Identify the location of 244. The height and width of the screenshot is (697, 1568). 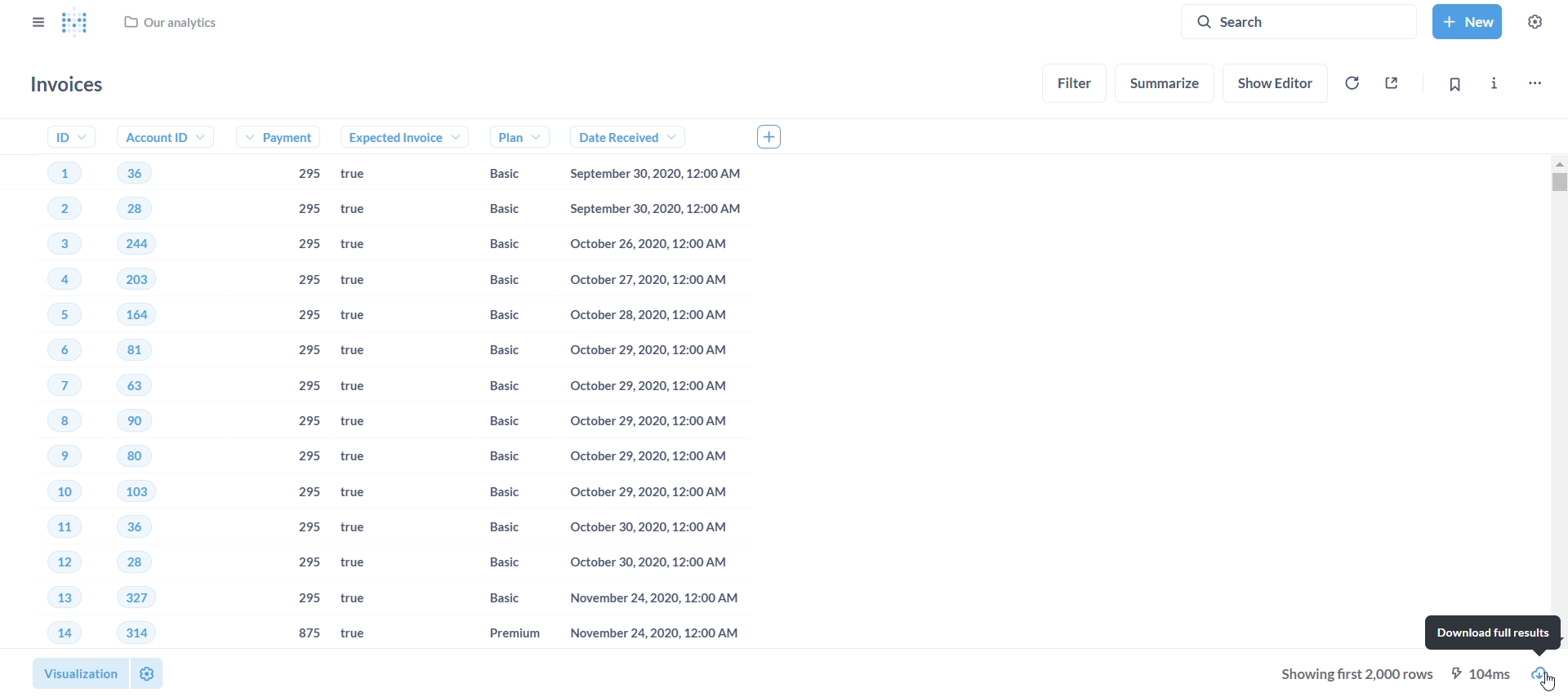
(138, 243).